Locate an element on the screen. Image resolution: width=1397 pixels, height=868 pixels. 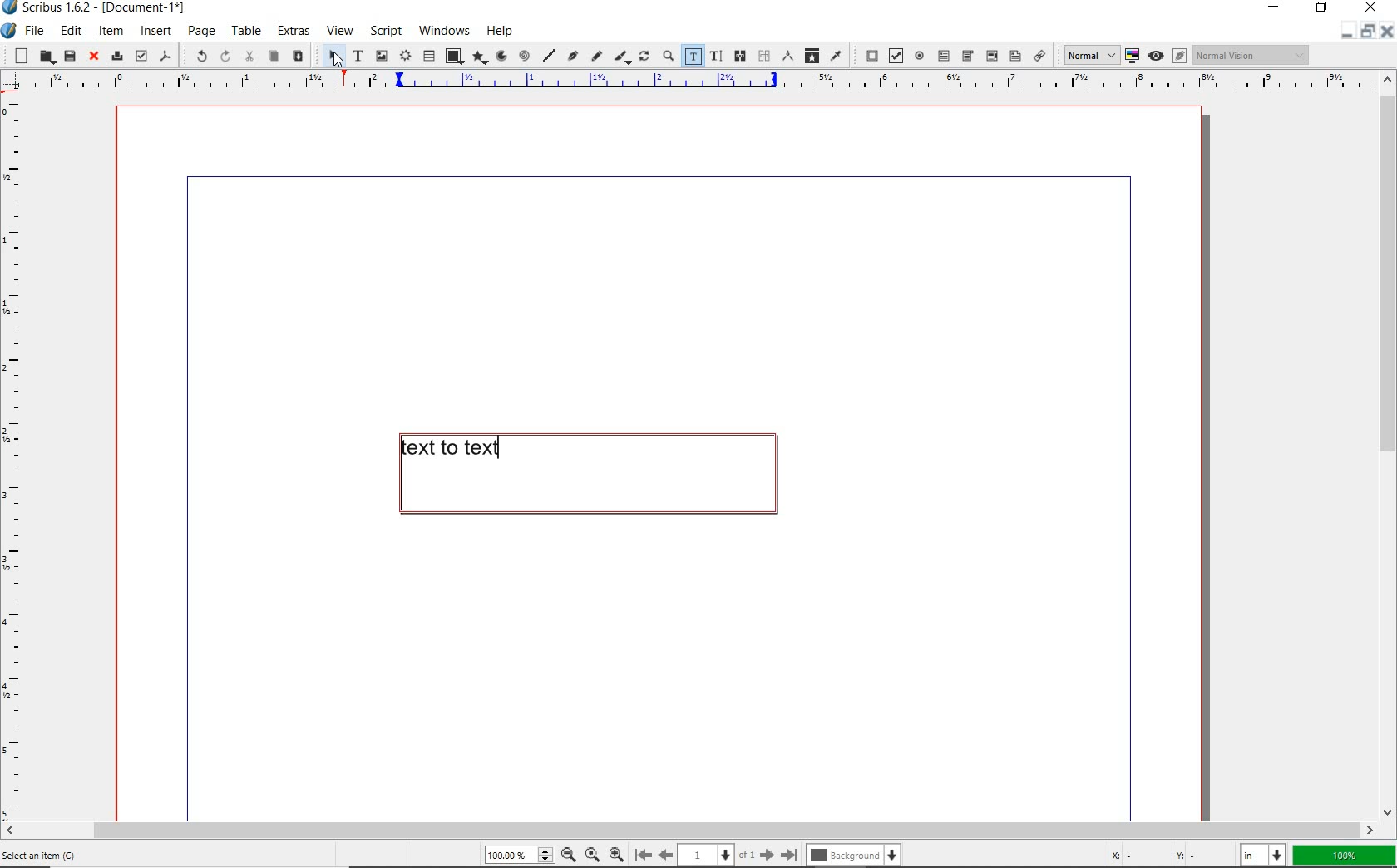
calligraphic line is located at coordinates (622, 57).